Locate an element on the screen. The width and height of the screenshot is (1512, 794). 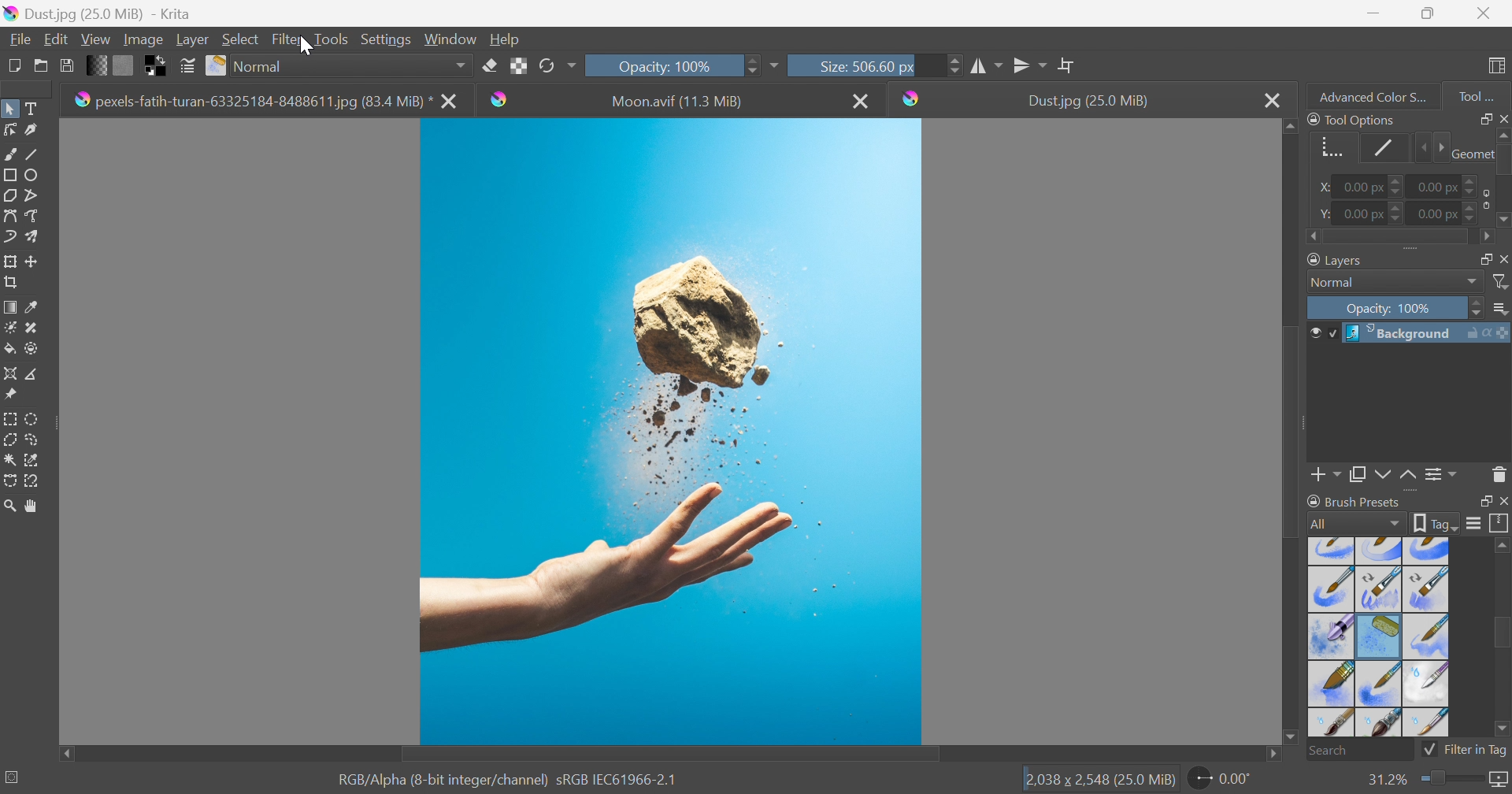
Slider is located at coordinates (1399, 238).